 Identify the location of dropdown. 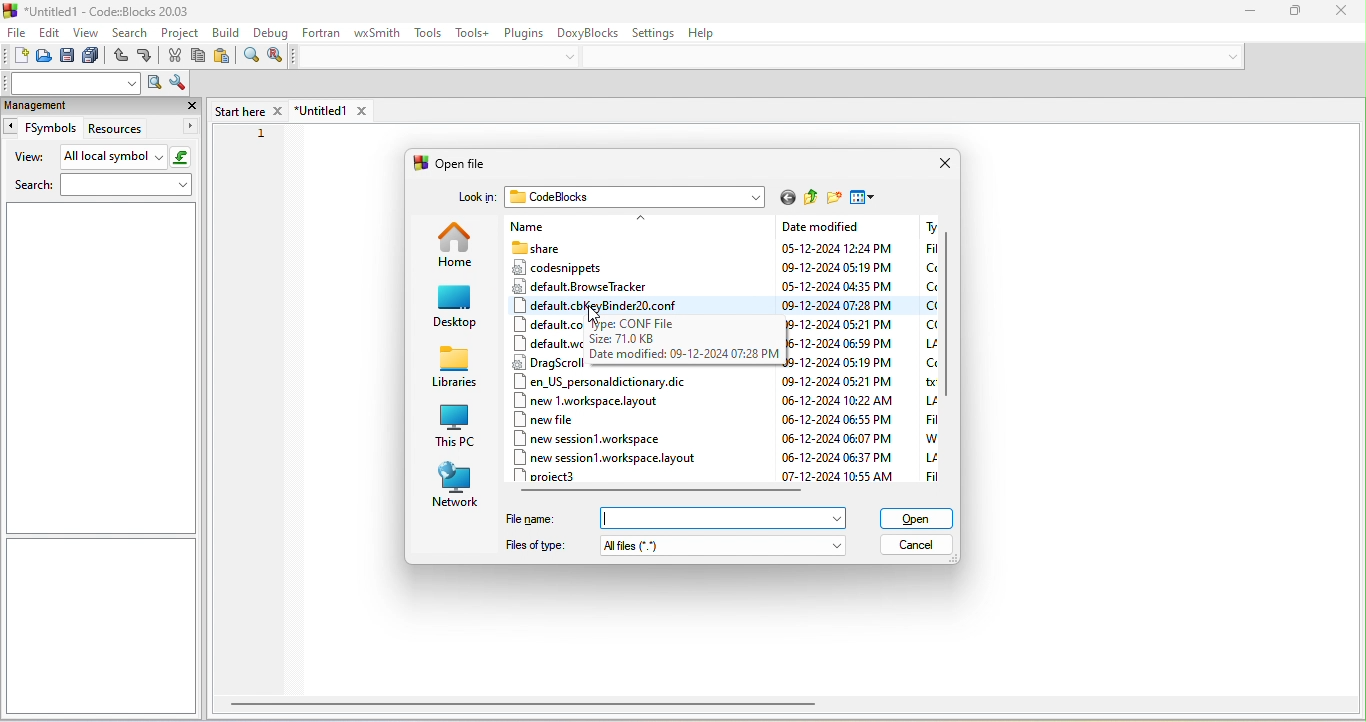
(837, 545).